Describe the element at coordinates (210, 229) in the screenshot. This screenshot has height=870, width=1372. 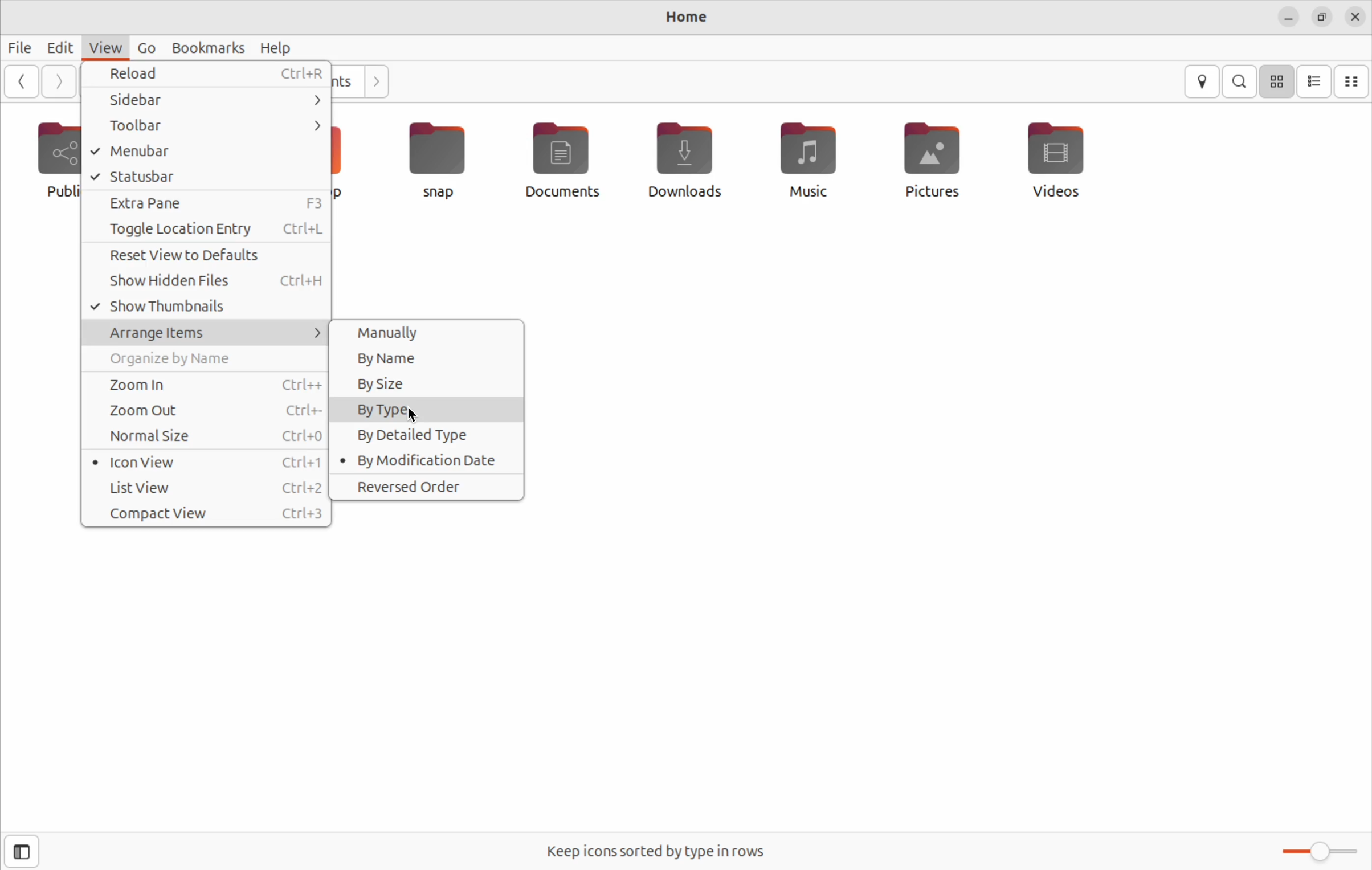
I see `toggle location entry` at that location.